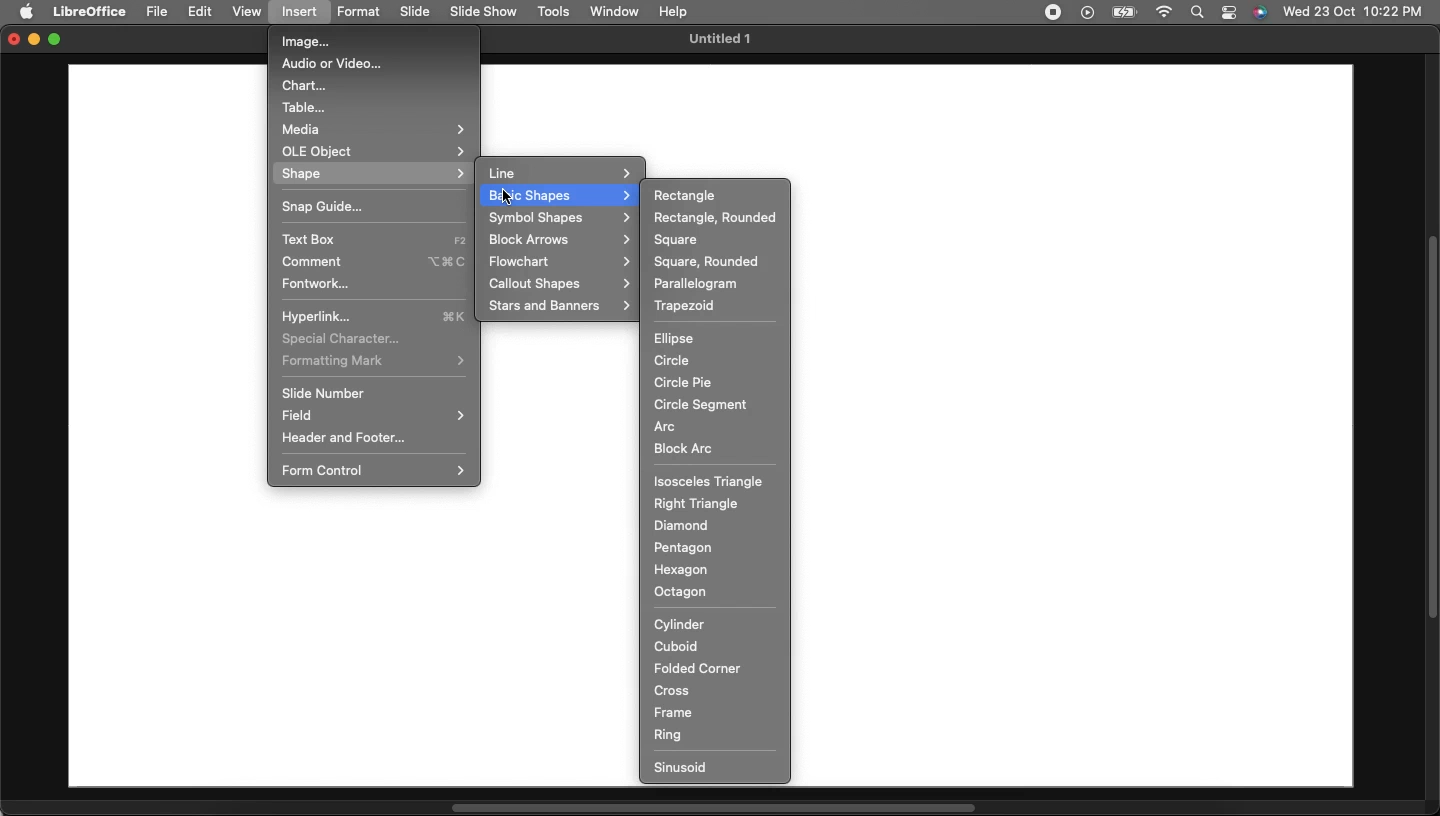  I want to click on Rectangle, so click(718, 194).